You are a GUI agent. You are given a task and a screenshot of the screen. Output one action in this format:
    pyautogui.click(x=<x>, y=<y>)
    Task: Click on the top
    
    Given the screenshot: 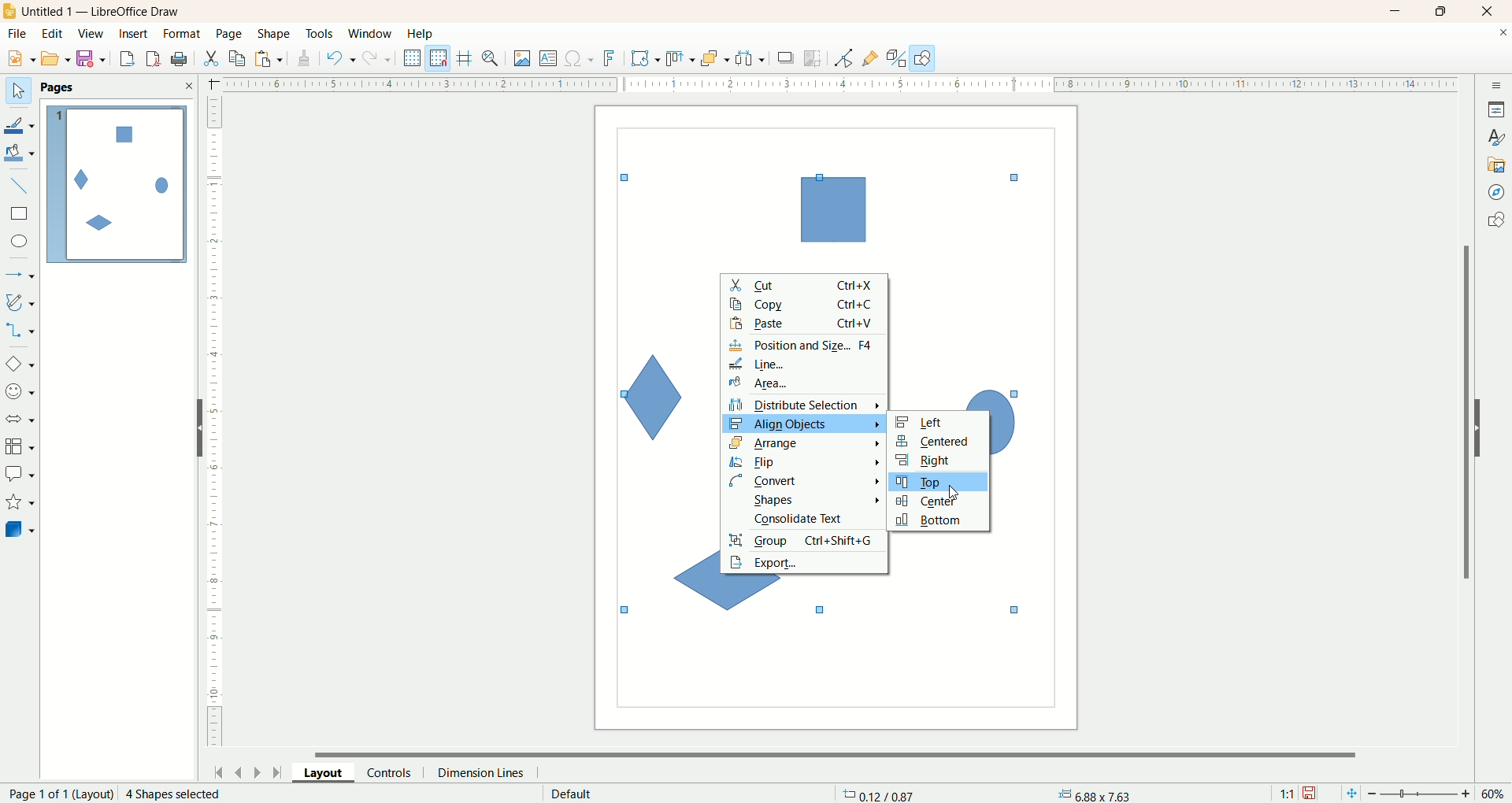 What is the action you would take?
    pyautogui.click(x=937, y=483)
    